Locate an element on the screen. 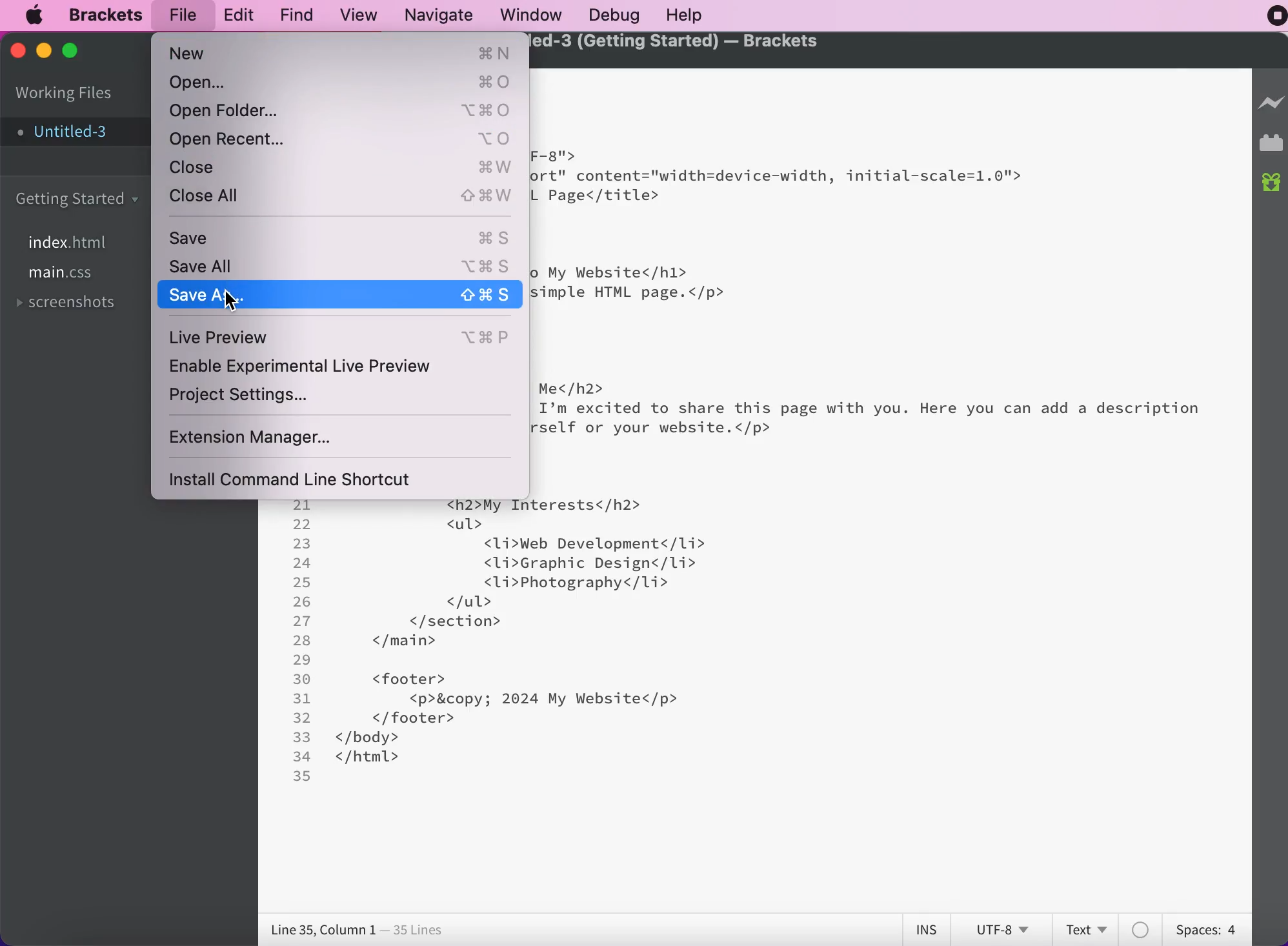  22 is located at coordinates (301, 525).